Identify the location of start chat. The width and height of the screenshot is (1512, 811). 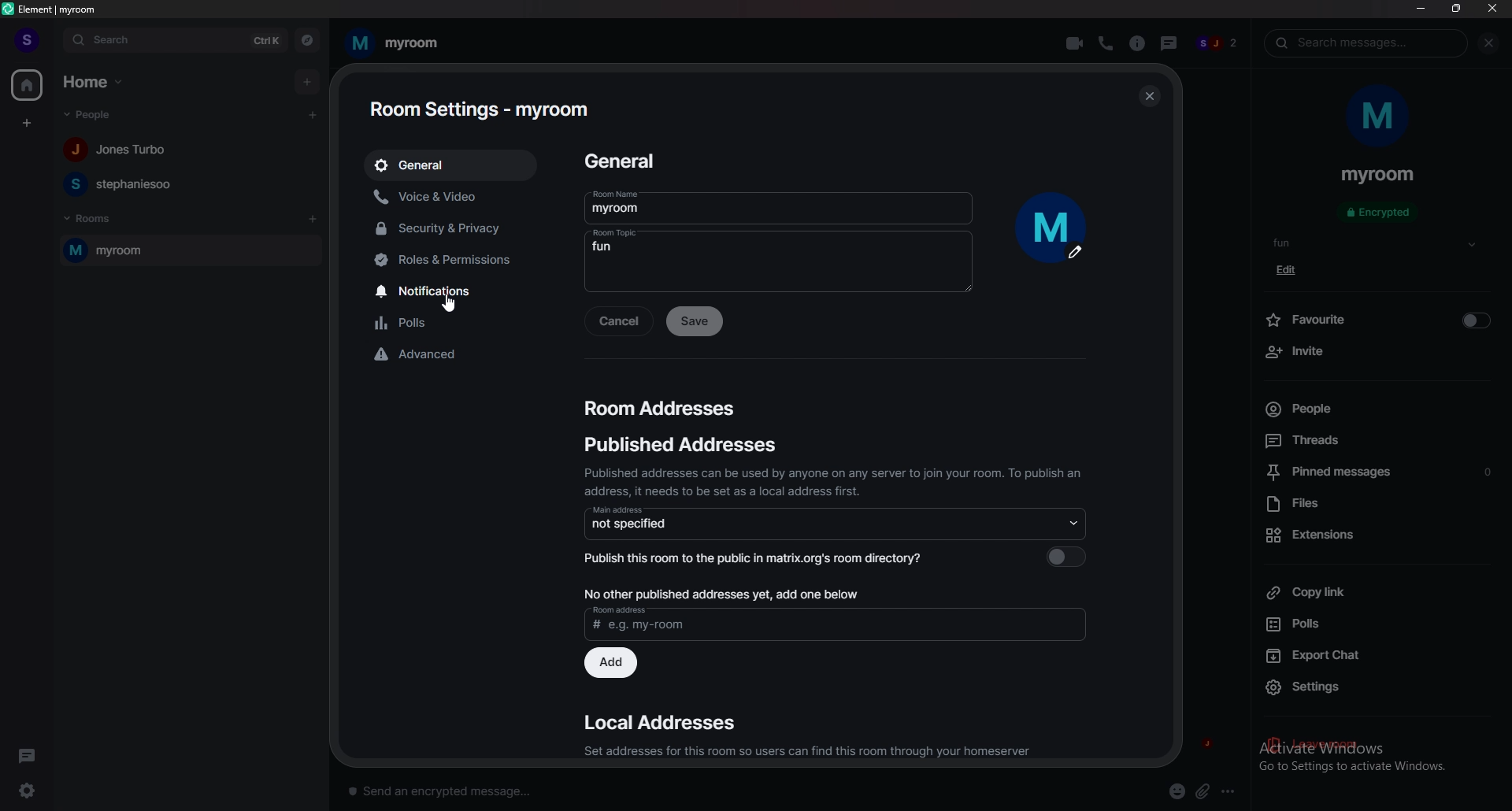
(314, 114).